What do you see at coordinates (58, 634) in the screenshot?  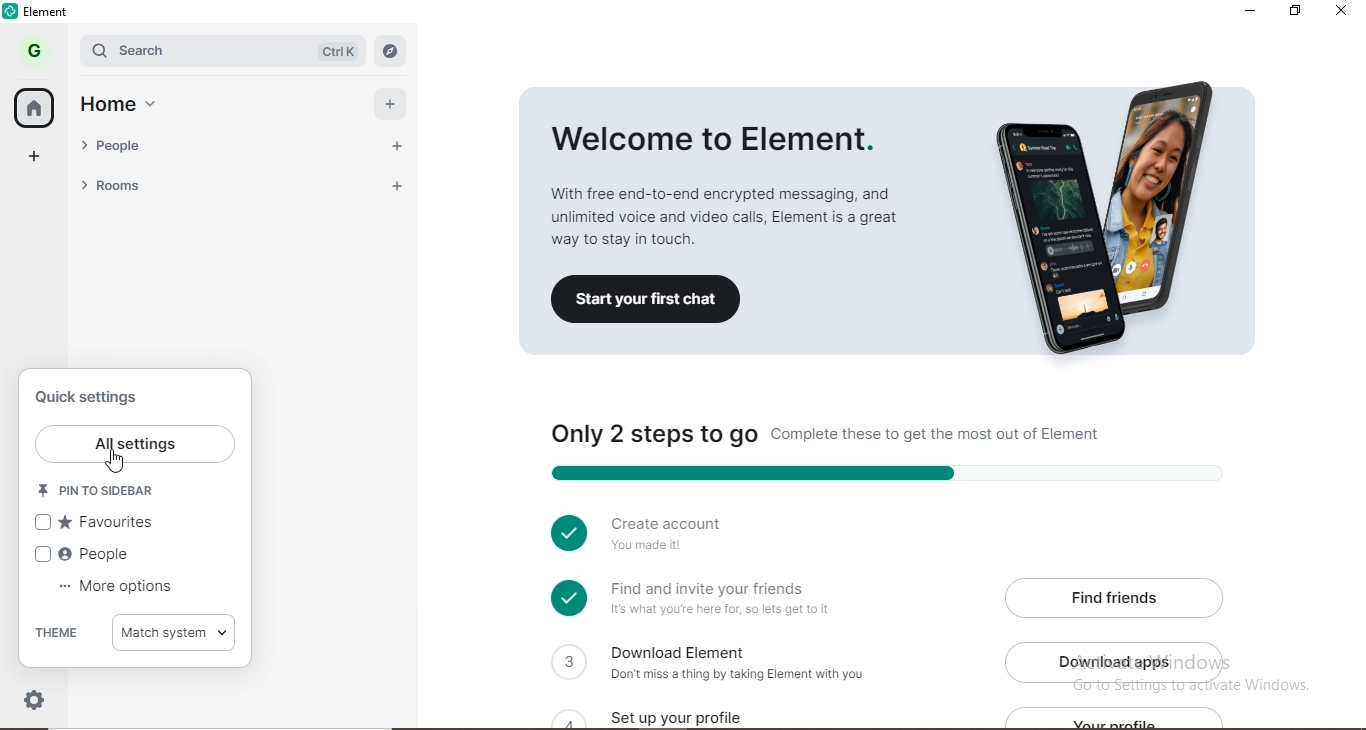 I see `theme` at bounding box center [58, 634].